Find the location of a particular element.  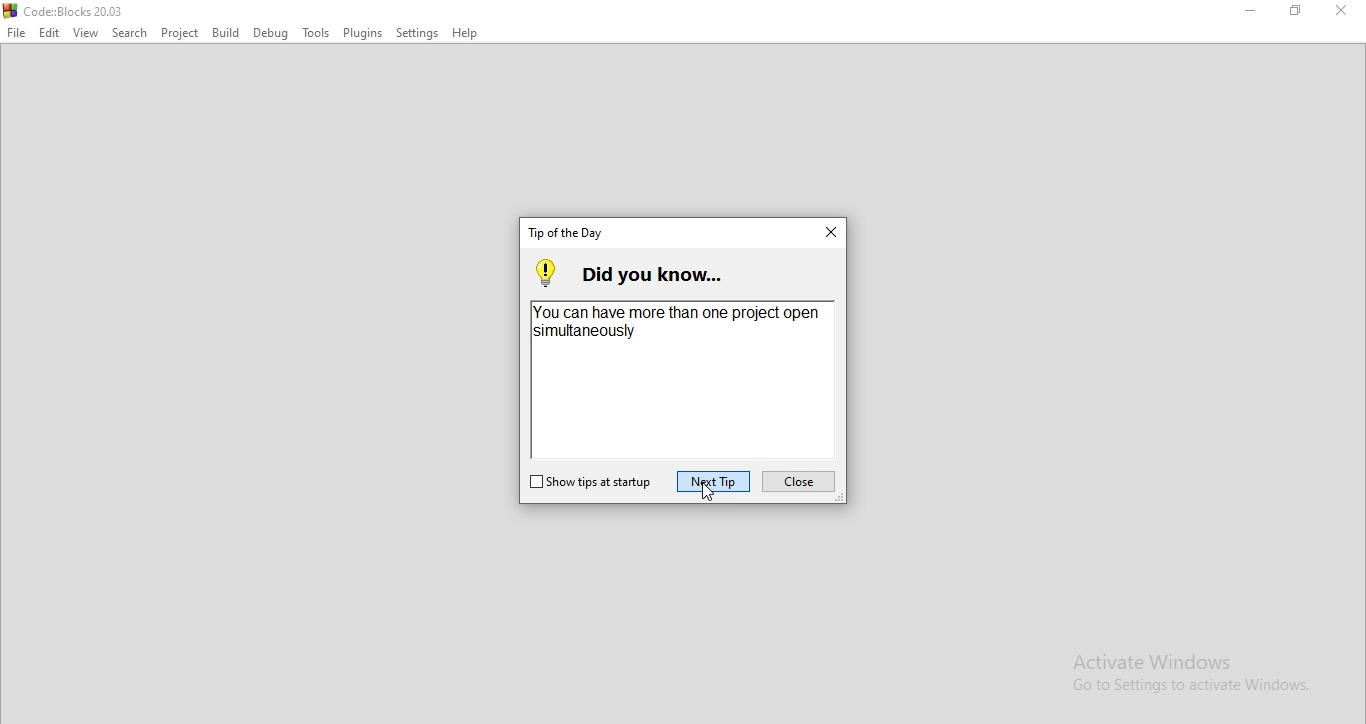

View  is located at coordinates (86, 33).